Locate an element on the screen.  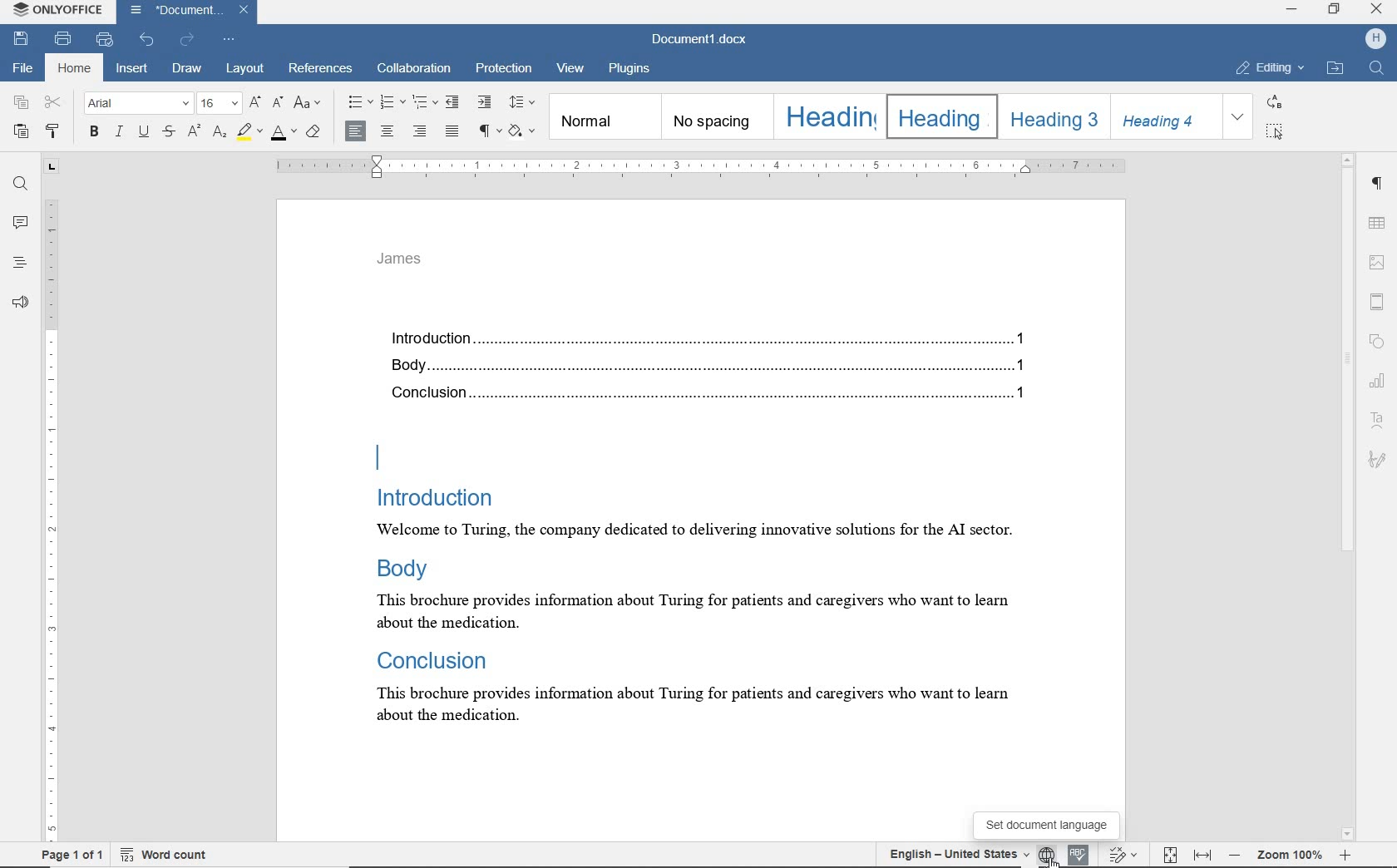
increase indent is located at coordinates (483, 101).